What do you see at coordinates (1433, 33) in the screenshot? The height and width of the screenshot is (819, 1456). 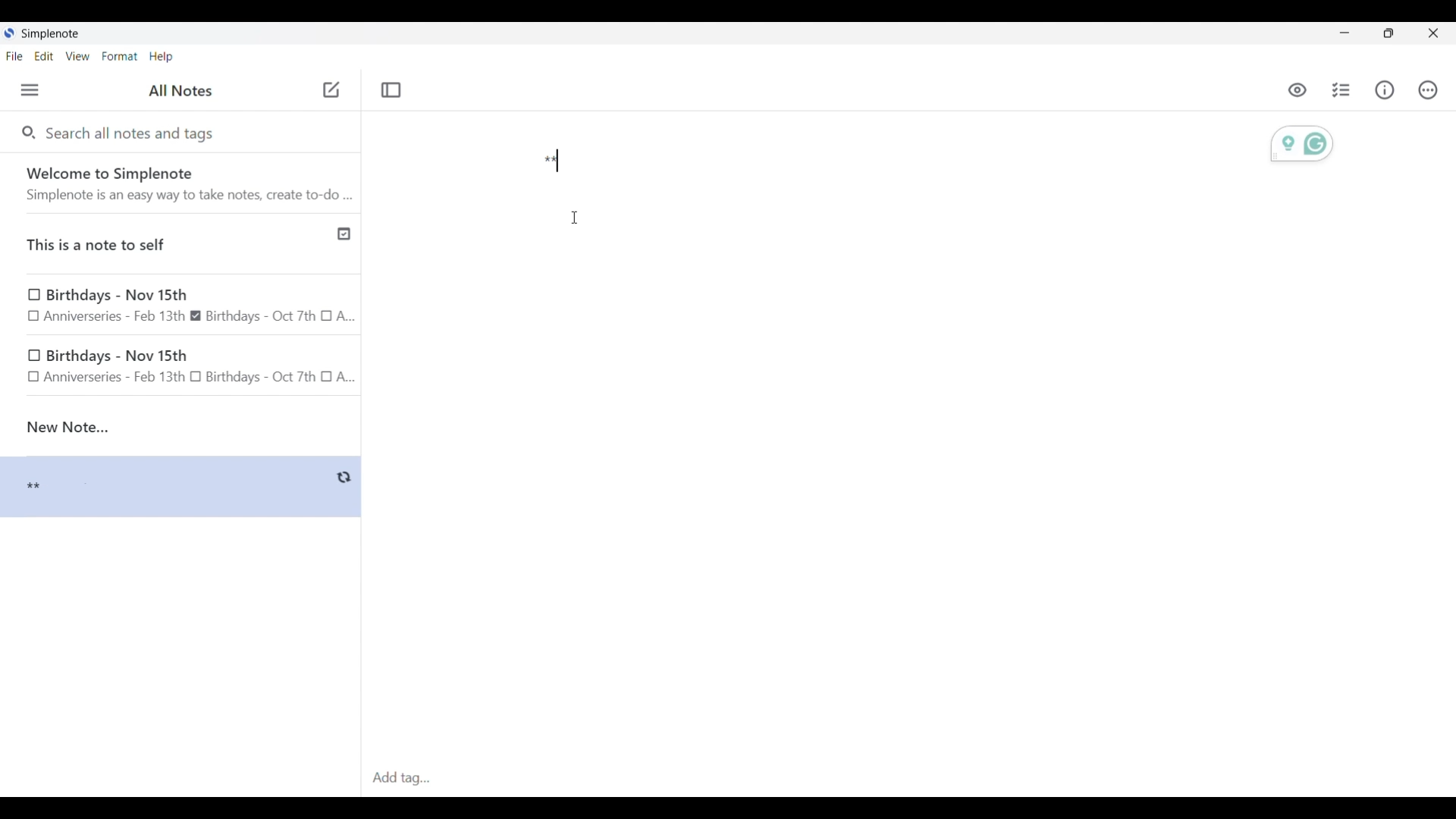 I see `Close interface` at bounding box center [1433, 33].